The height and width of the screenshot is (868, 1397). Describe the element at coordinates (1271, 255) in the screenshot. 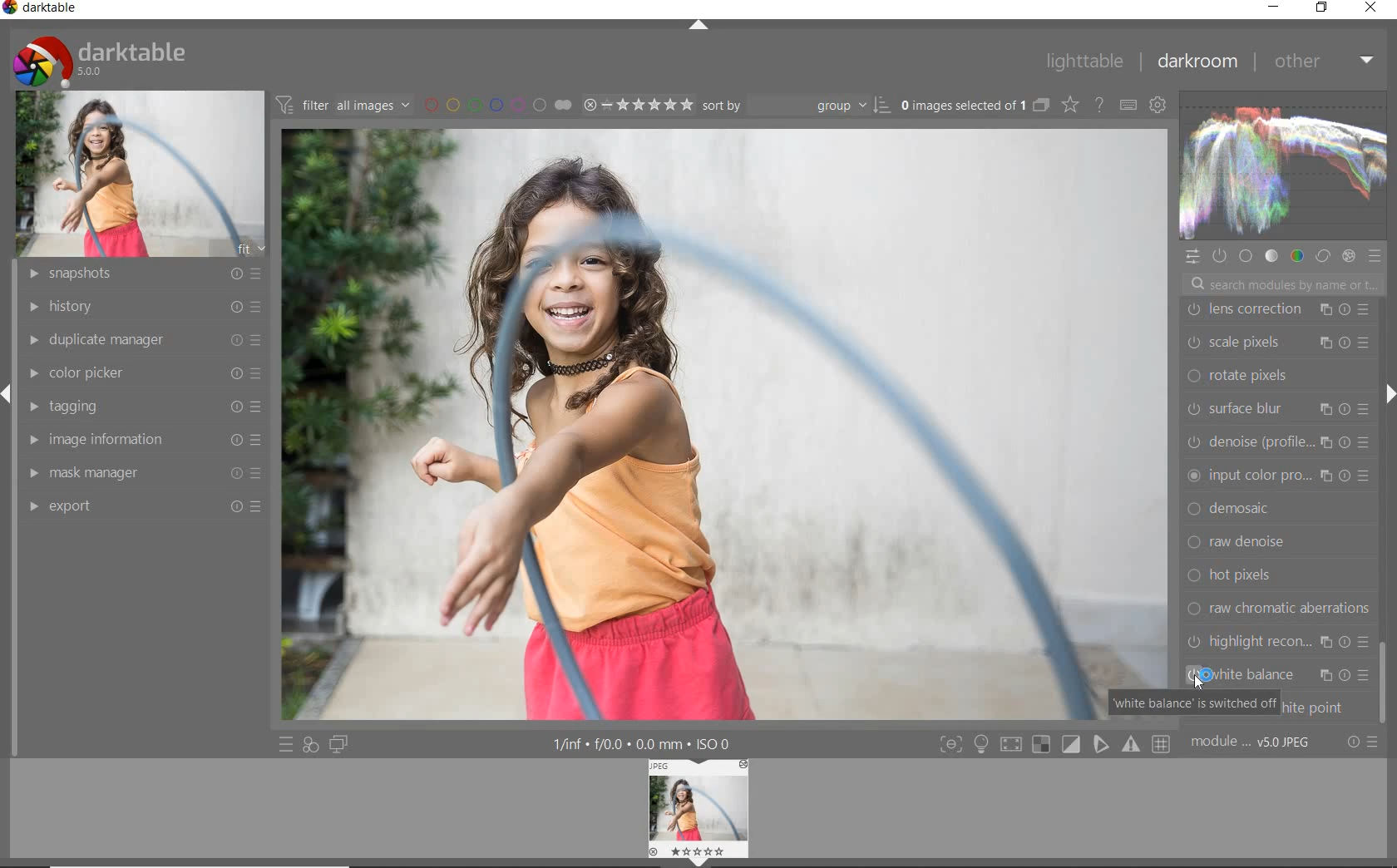

I see `tone` at that location.